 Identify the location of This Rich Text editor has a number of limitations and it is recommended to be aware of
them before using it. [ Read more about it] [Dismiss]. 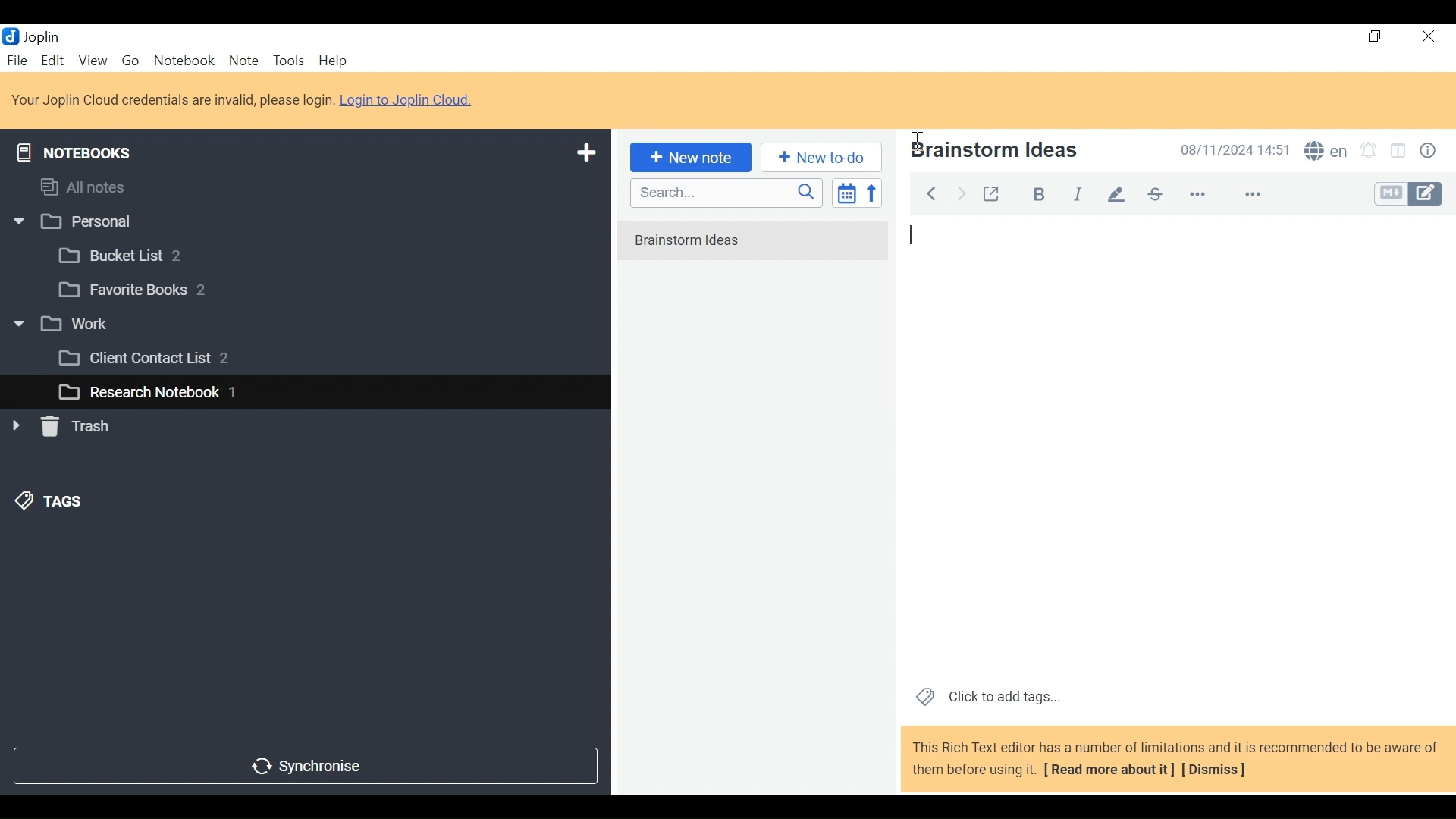
(1175, 758).